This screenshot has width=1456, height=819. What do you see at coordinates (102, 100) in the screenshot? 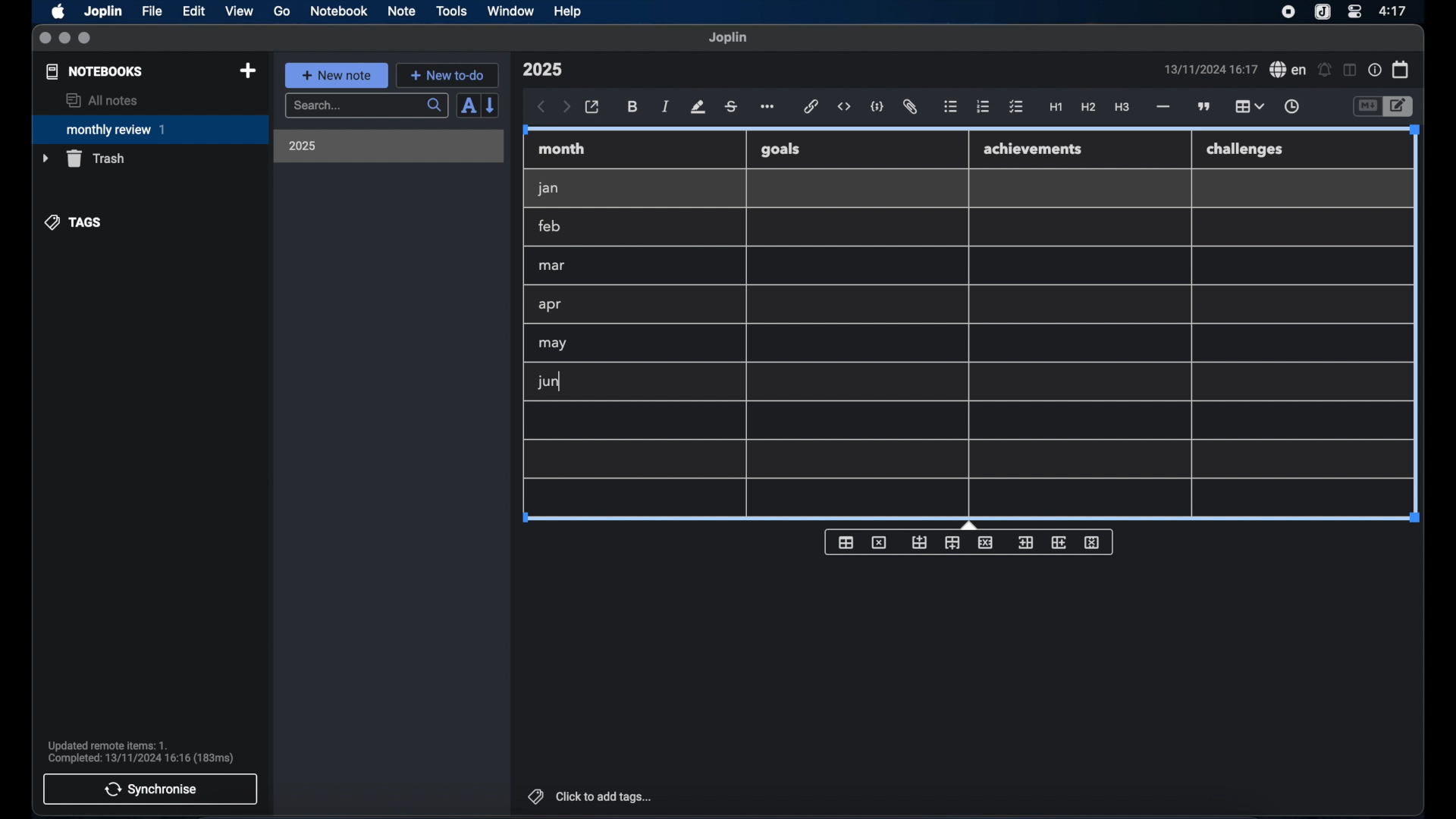
I see `all notes` at bounding box center [102, 100].